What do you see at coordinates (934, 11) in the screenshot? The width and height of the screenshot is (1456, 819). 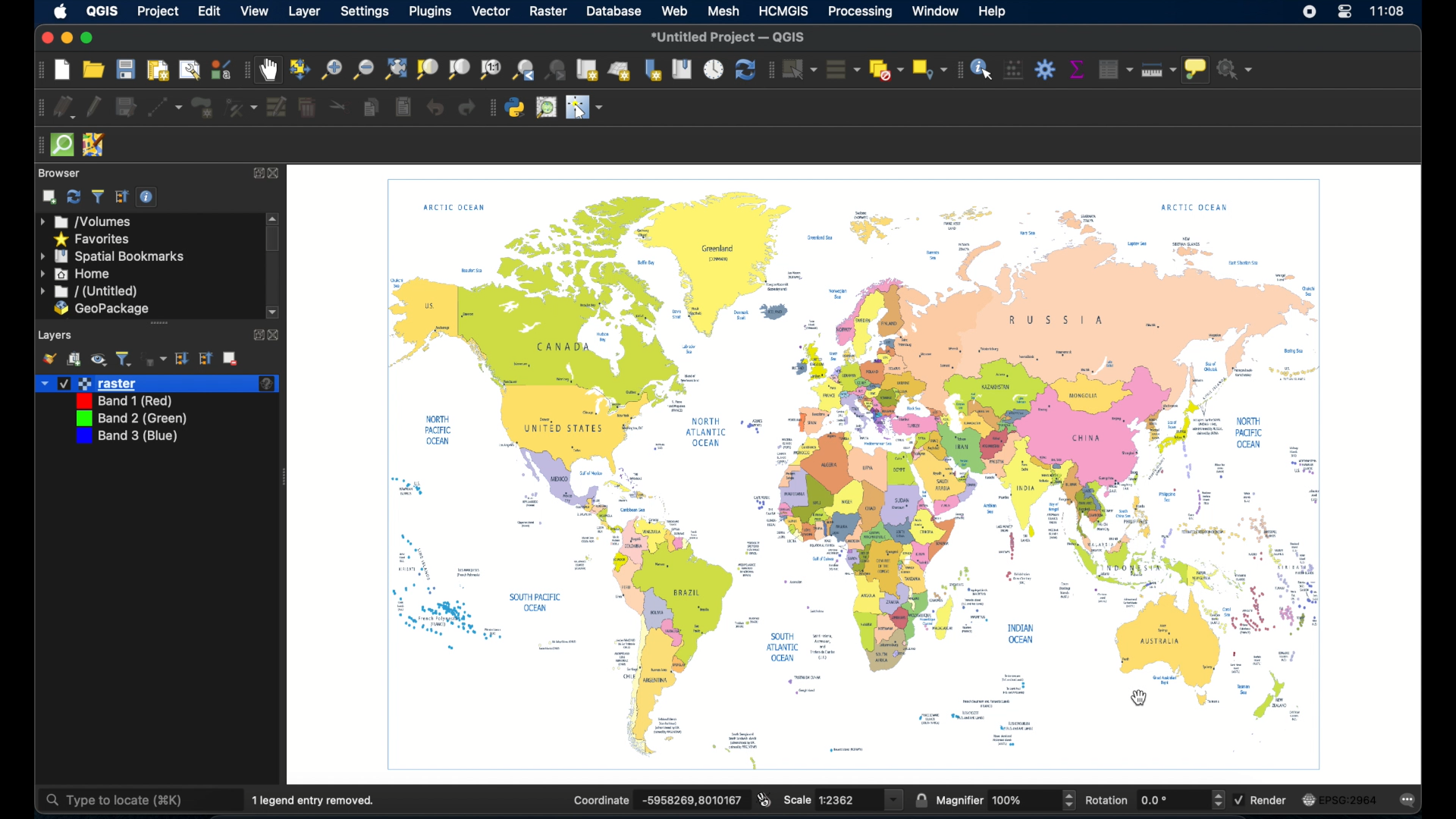 I see `window` at bounding box center [934, 11].